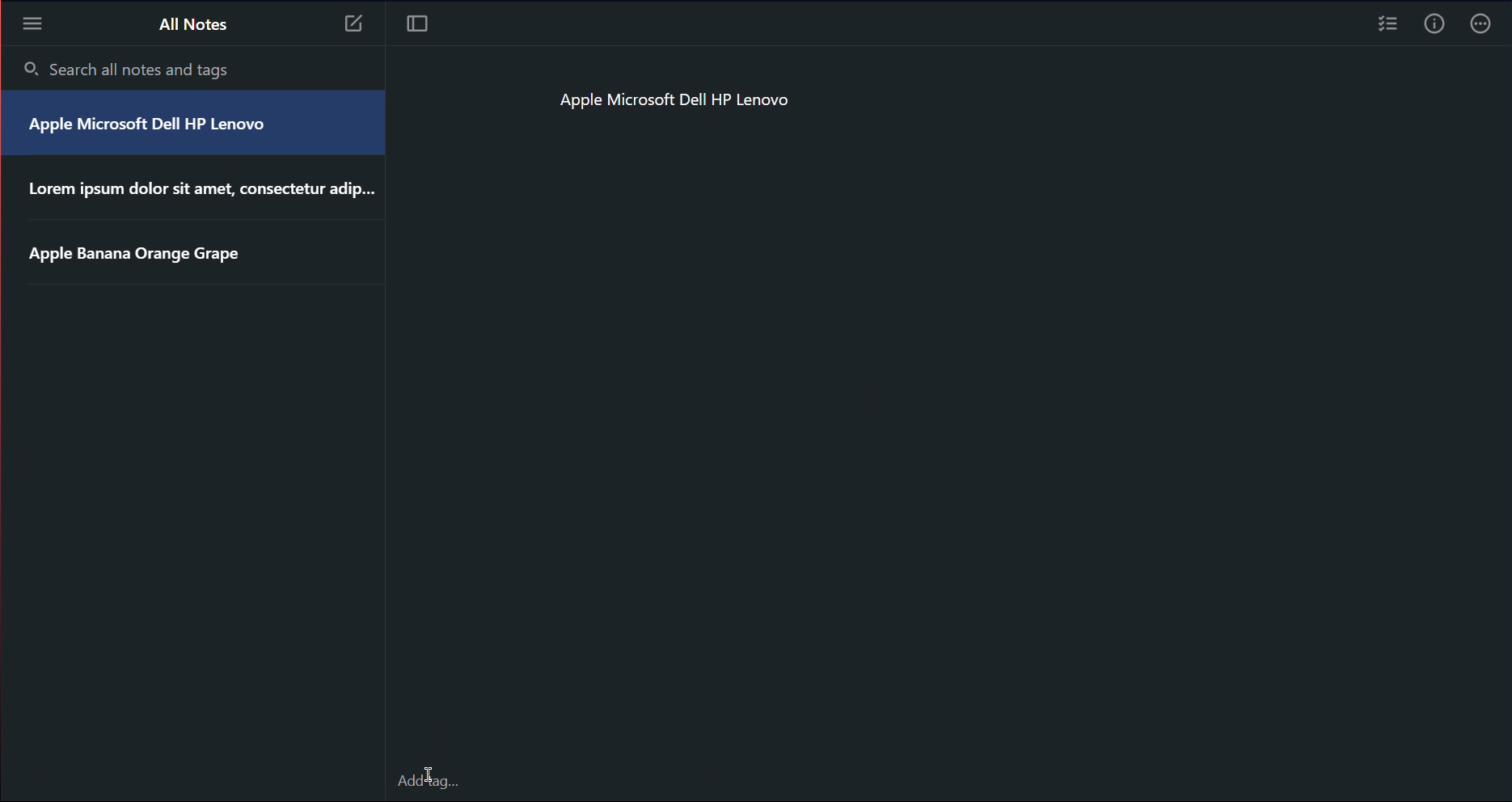 Image resolution: width=1512 pixels, height=802 pixels. What do you see at coordinates (430, 783) in the screenshot?
I see `add Tags` at bounding box center [430, 783].